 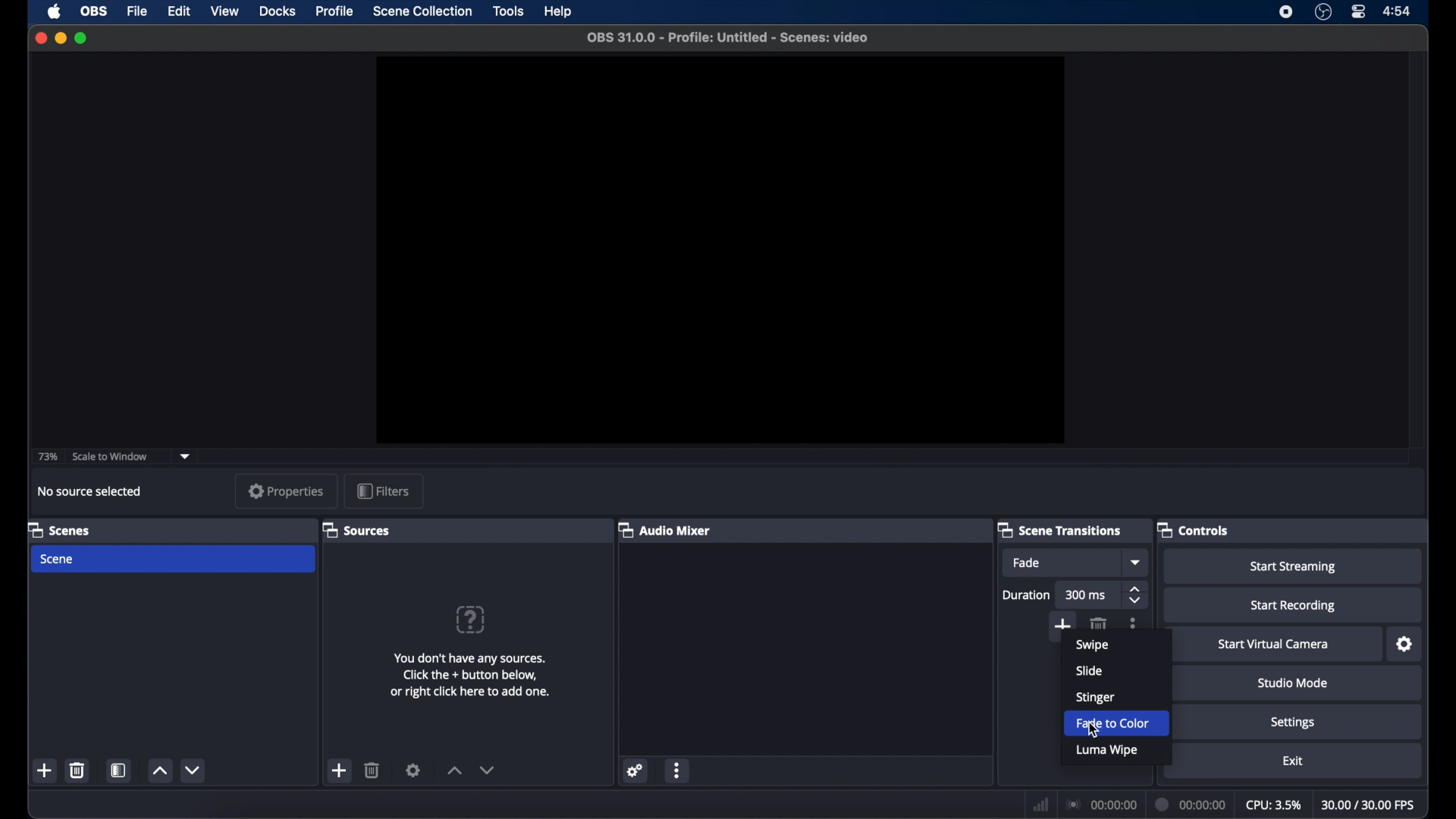 I want to click on luma wipe, so click(x=1106, y=751).